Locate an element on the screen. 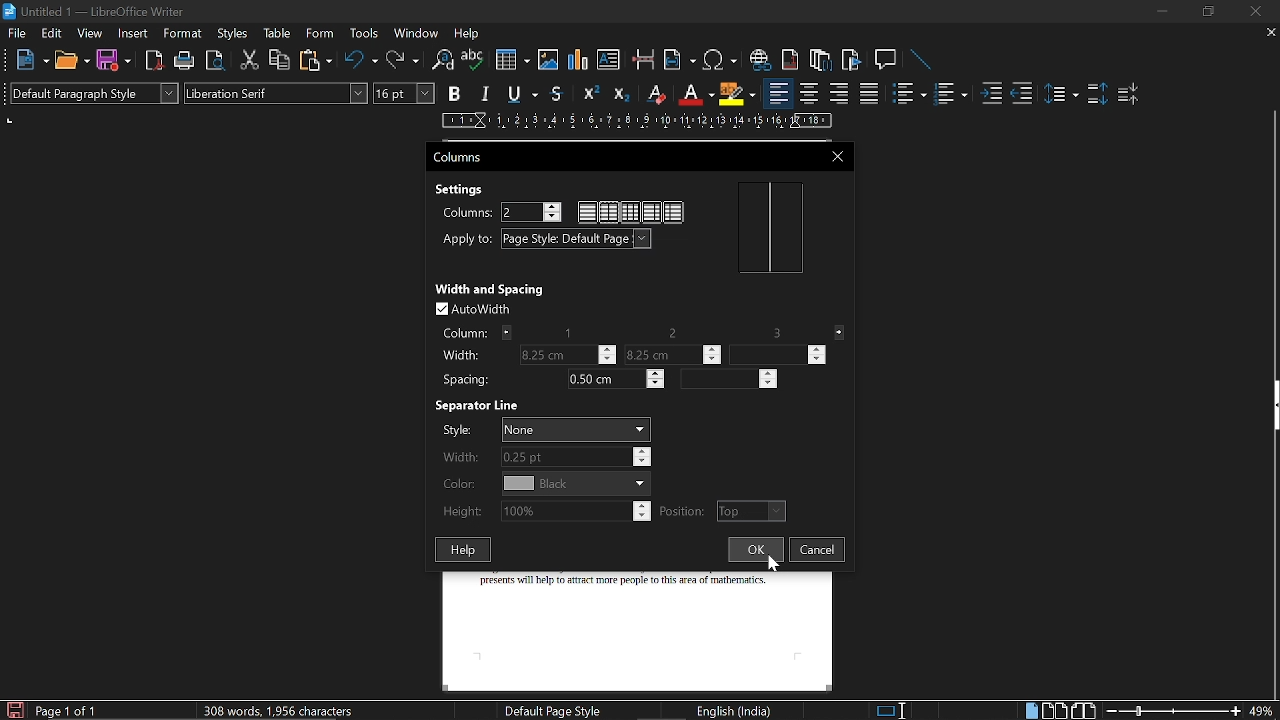 This screenshot has height=720, width=1280. Cut  is located at coordinates (248, 62).